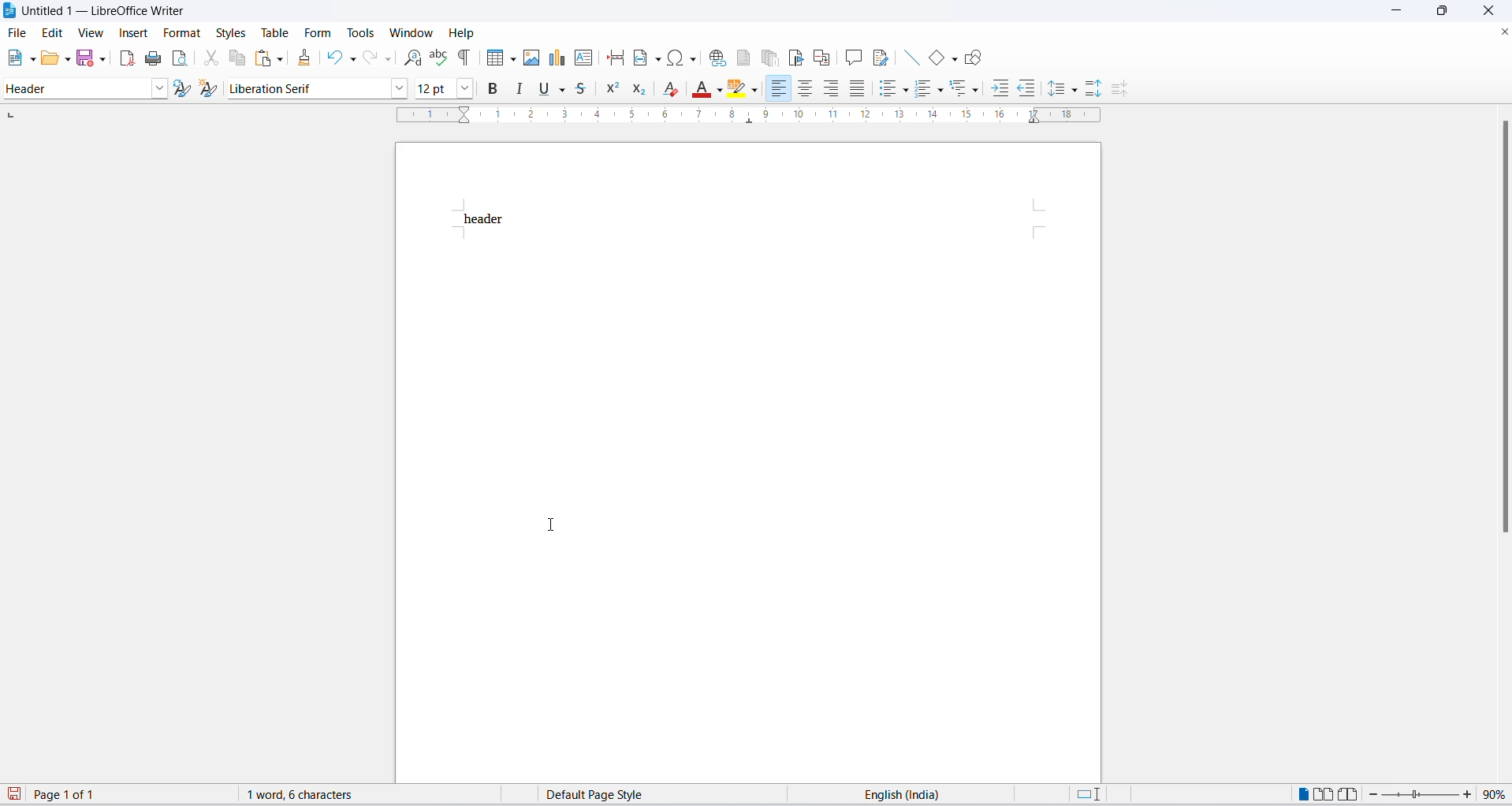 This screenshot has width=1512, height=806. What do you see at coordinates (923, 90) in the screenshot?
I see `toggle ordered list options` at bounding box center [923, 90].